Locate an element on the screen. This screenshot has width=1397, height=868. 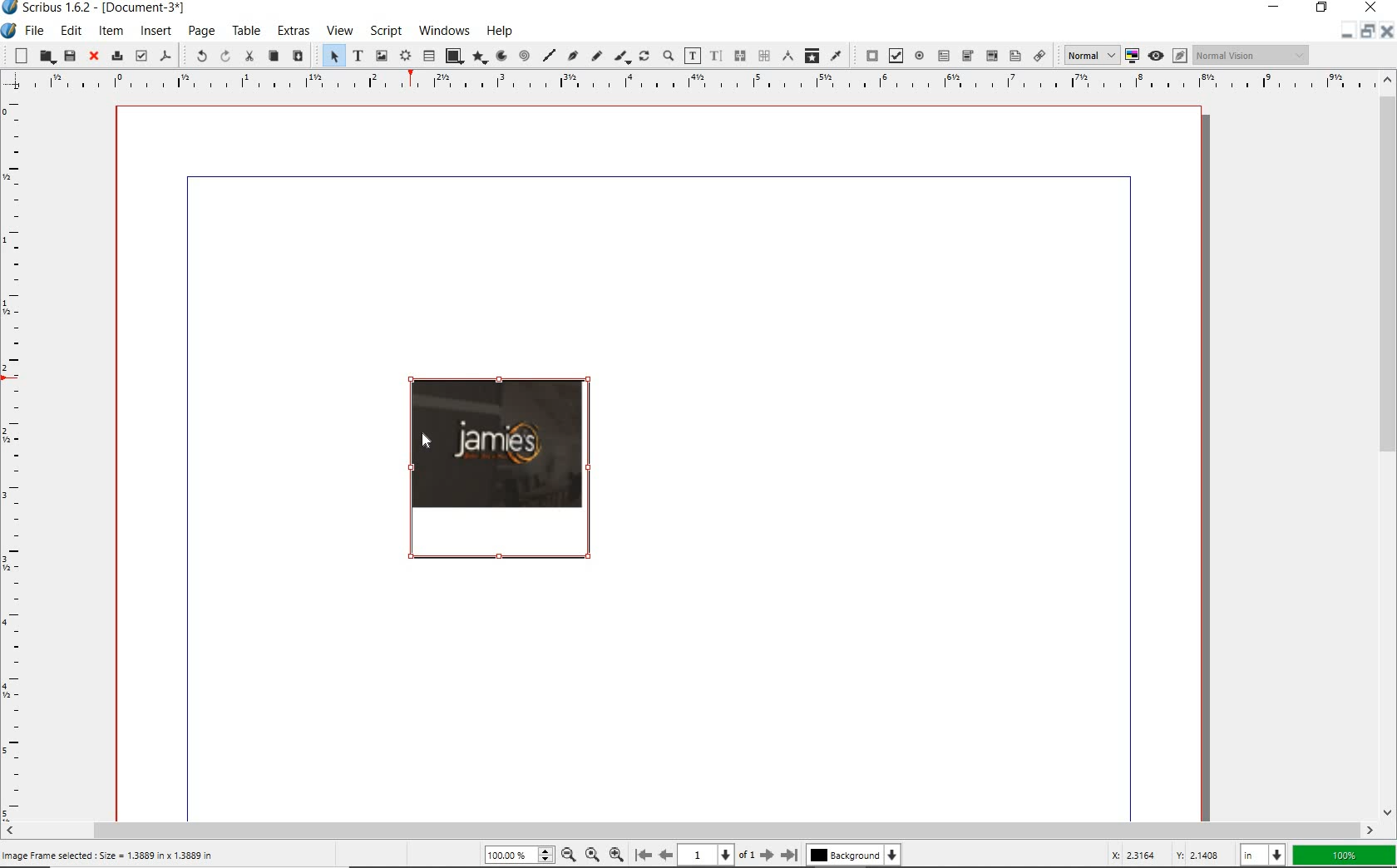
unlink text frames is located at coordinates (759, 57).